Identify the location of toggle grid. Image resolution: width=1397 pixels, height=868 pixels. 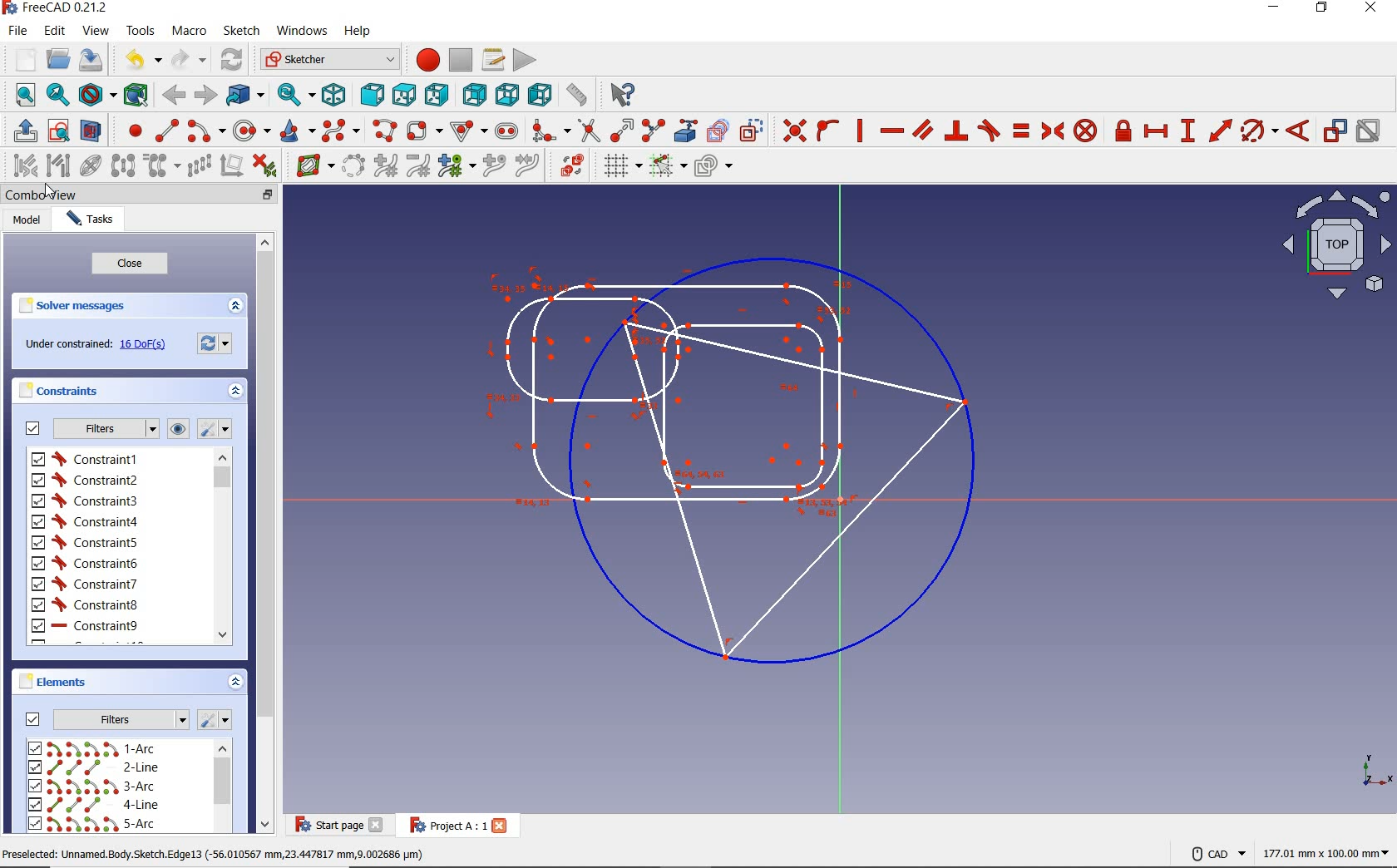
(614, 168).